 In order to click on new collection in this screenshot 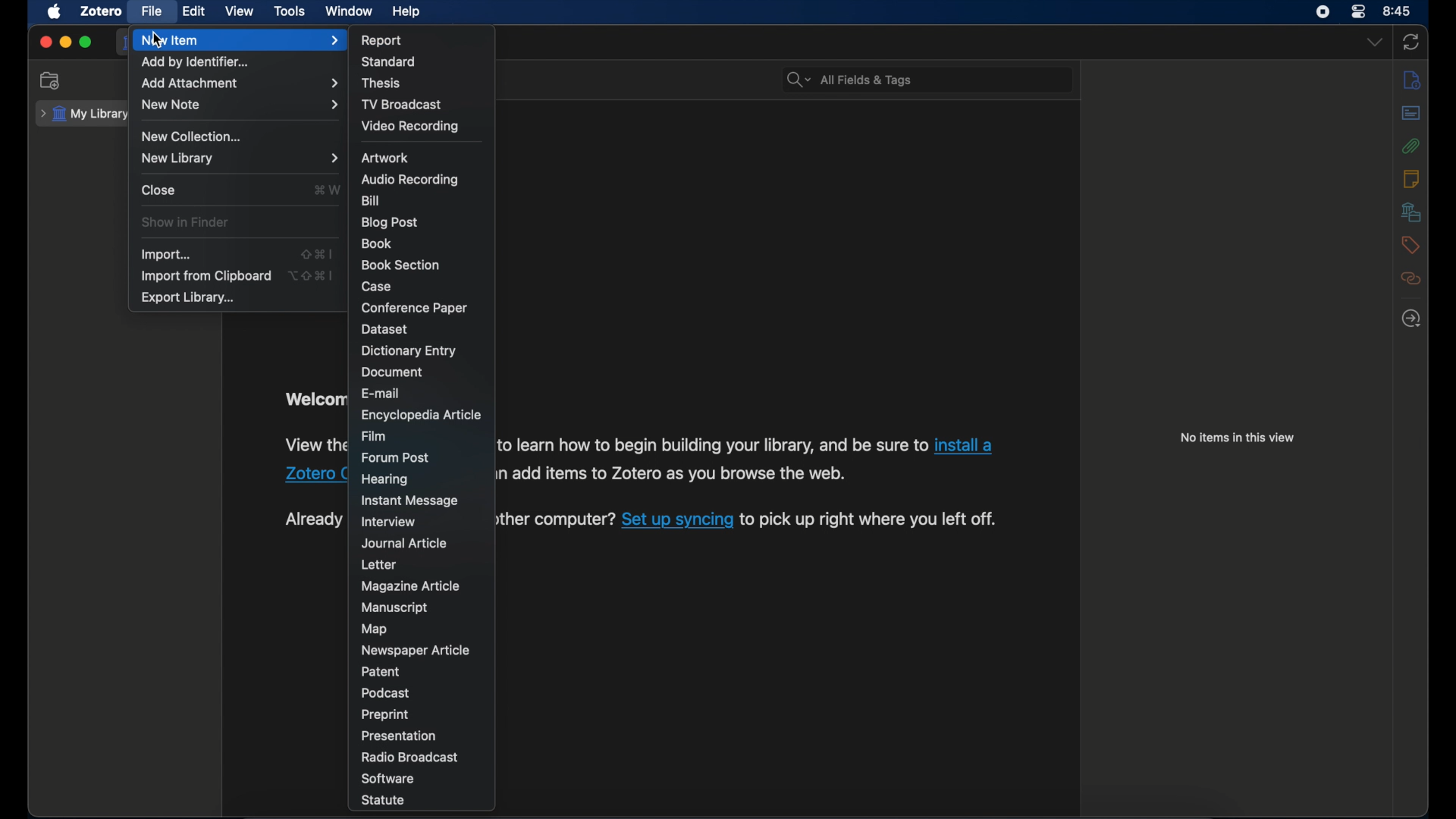, I will do `click(192, 136)`.